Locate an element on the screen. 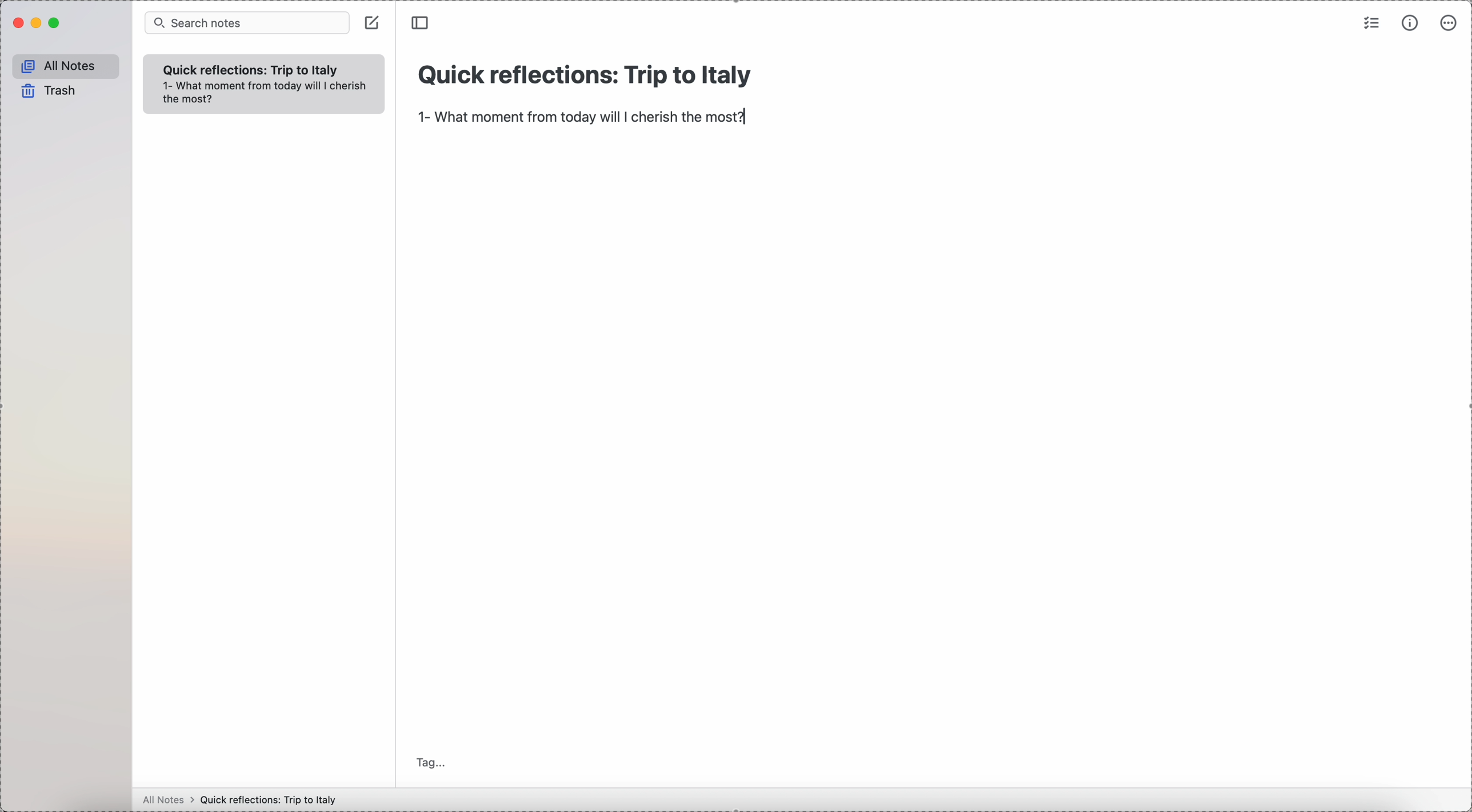 This screenshot has width=1472, height=812. all notes is located at coordinates (63, 65).